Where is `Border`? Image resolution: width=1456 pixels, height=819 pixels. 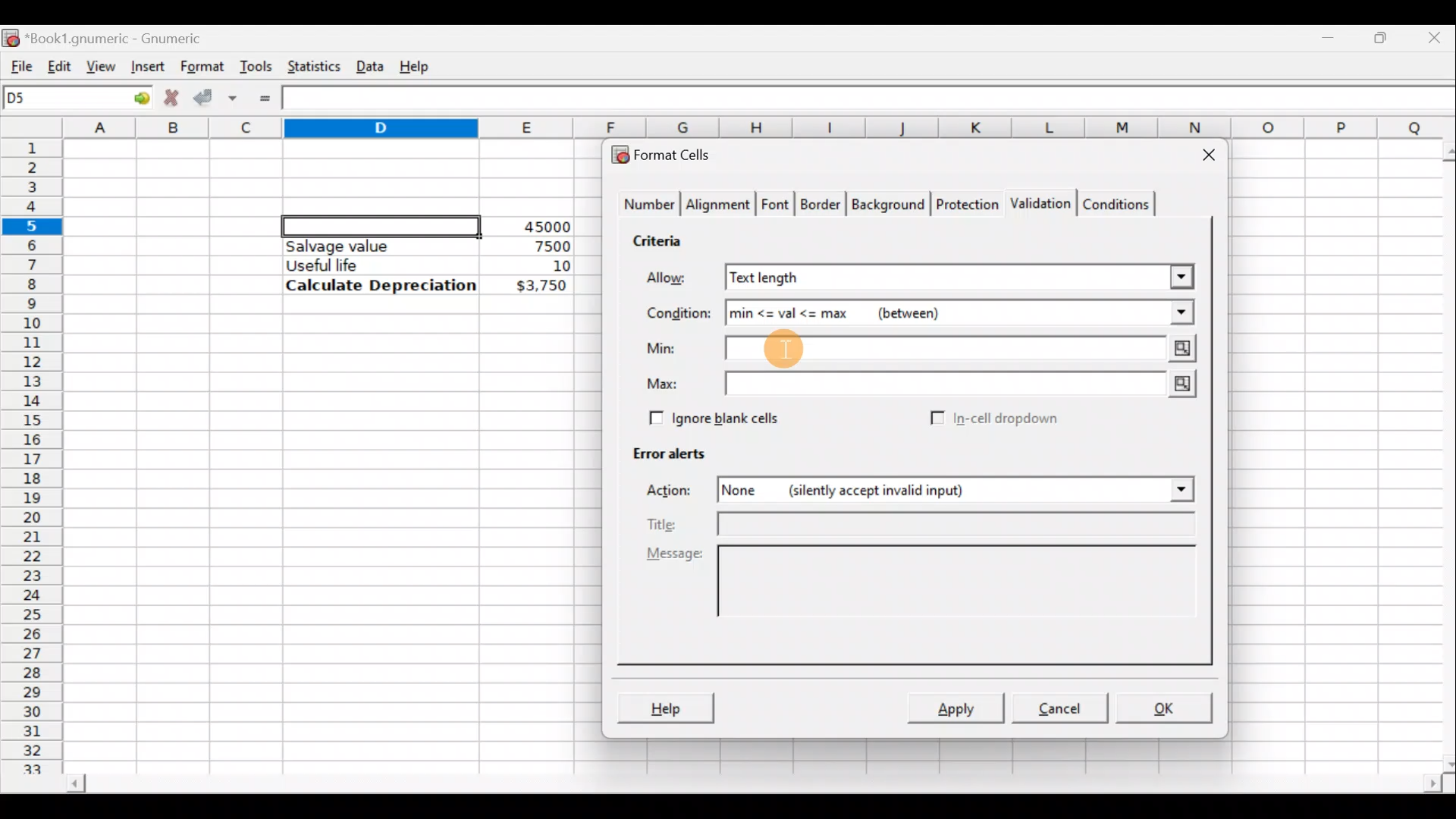
Border is located at coordinates (822, 208).